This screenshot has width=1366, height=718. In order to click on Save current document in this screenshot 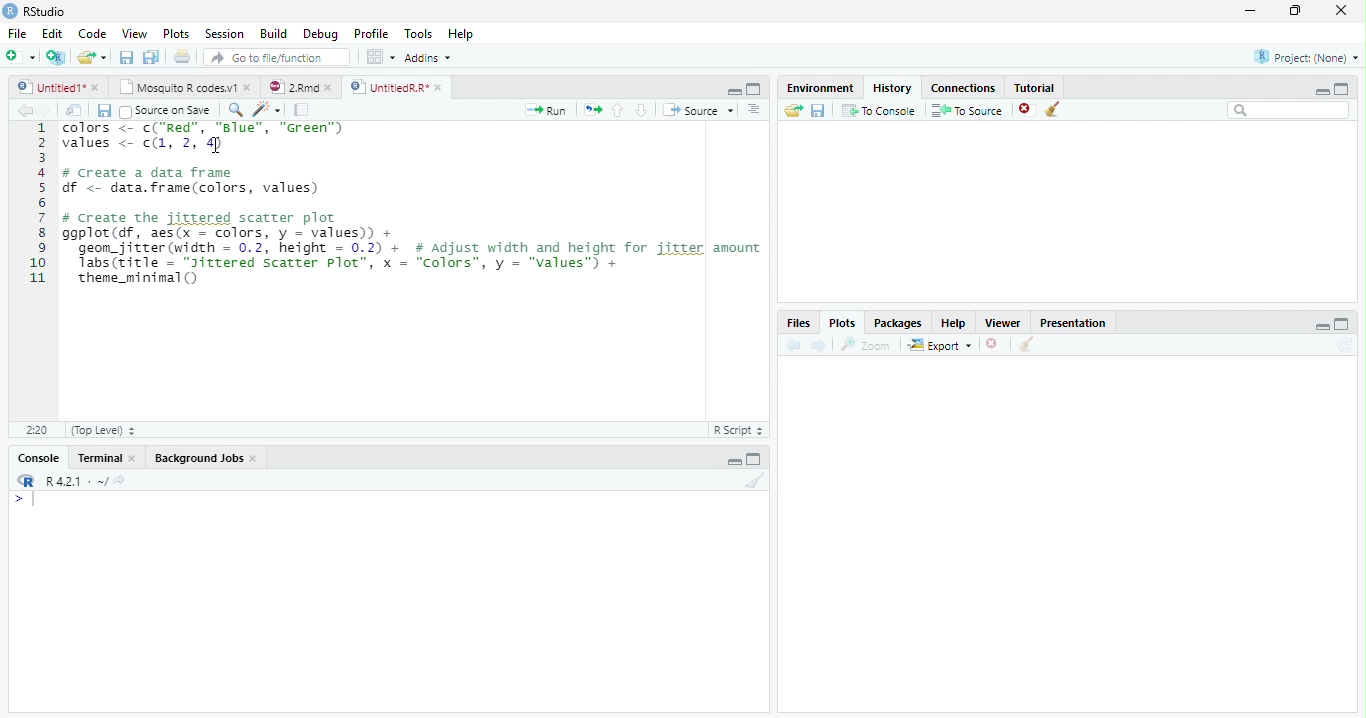, I will do `click(105, 111)`.